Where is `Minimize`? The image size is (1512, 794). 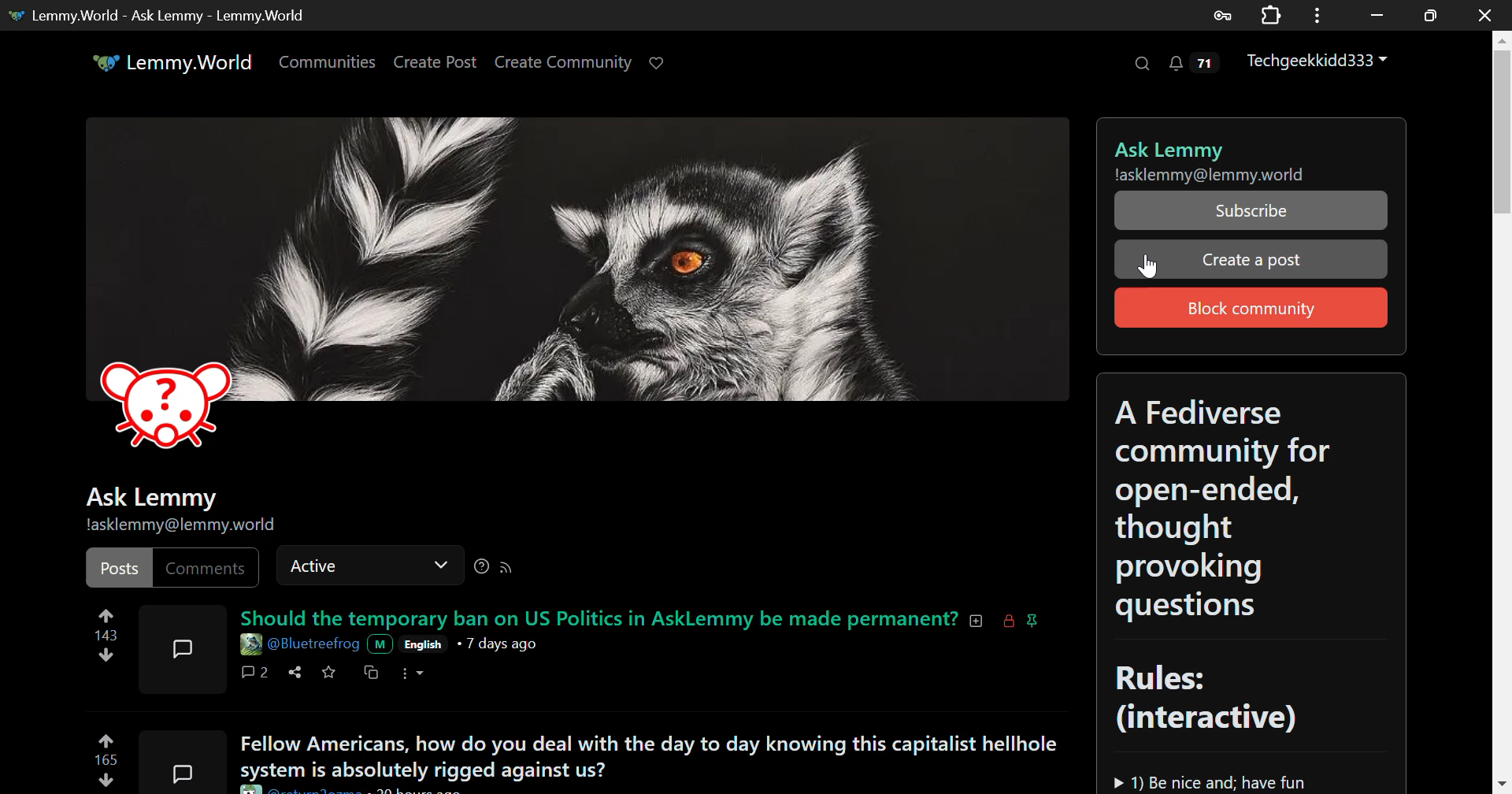 Minimize is located at coordinates (1431, 16).